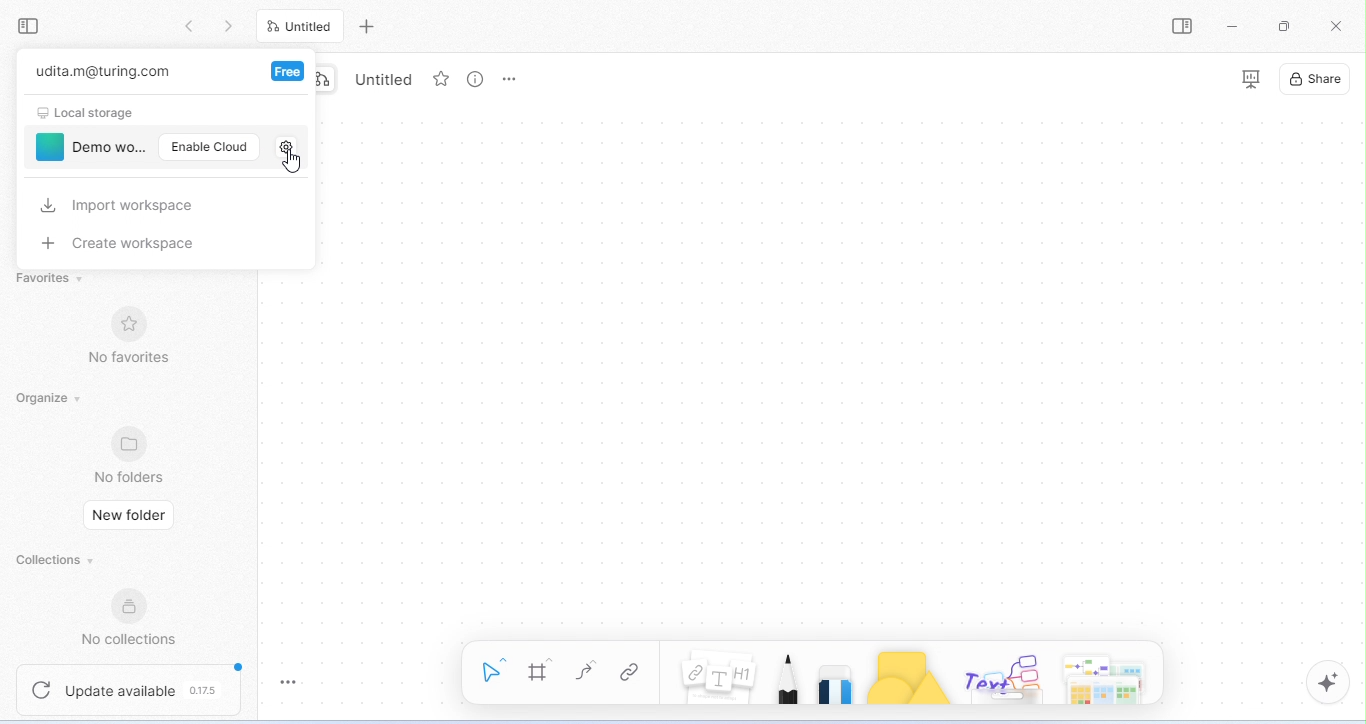  I want to click on notes, so click(719, 676).